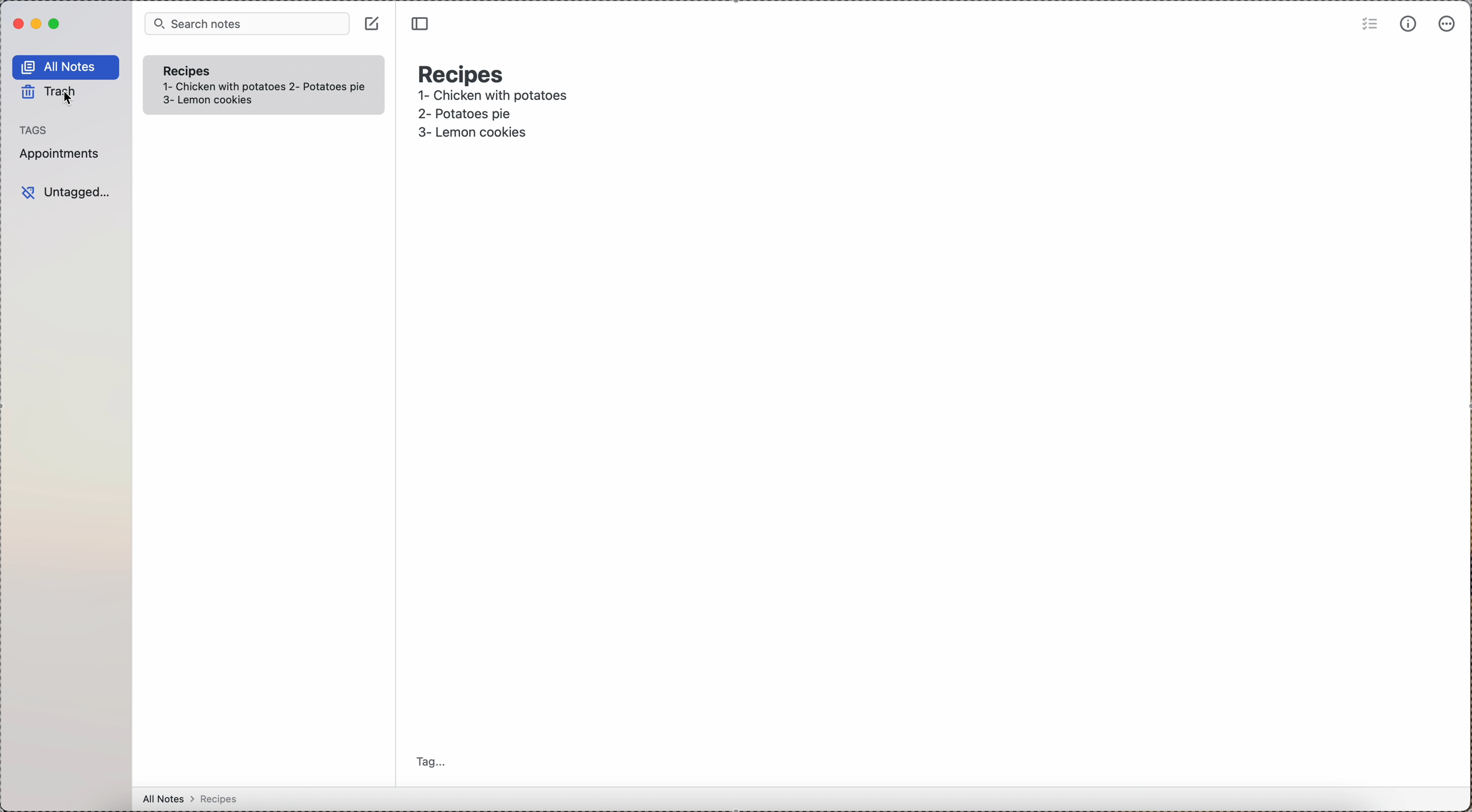  Describe the element at coordinates (481, 114) in the screenshot. I see `2-Potatoes pie` at that location.